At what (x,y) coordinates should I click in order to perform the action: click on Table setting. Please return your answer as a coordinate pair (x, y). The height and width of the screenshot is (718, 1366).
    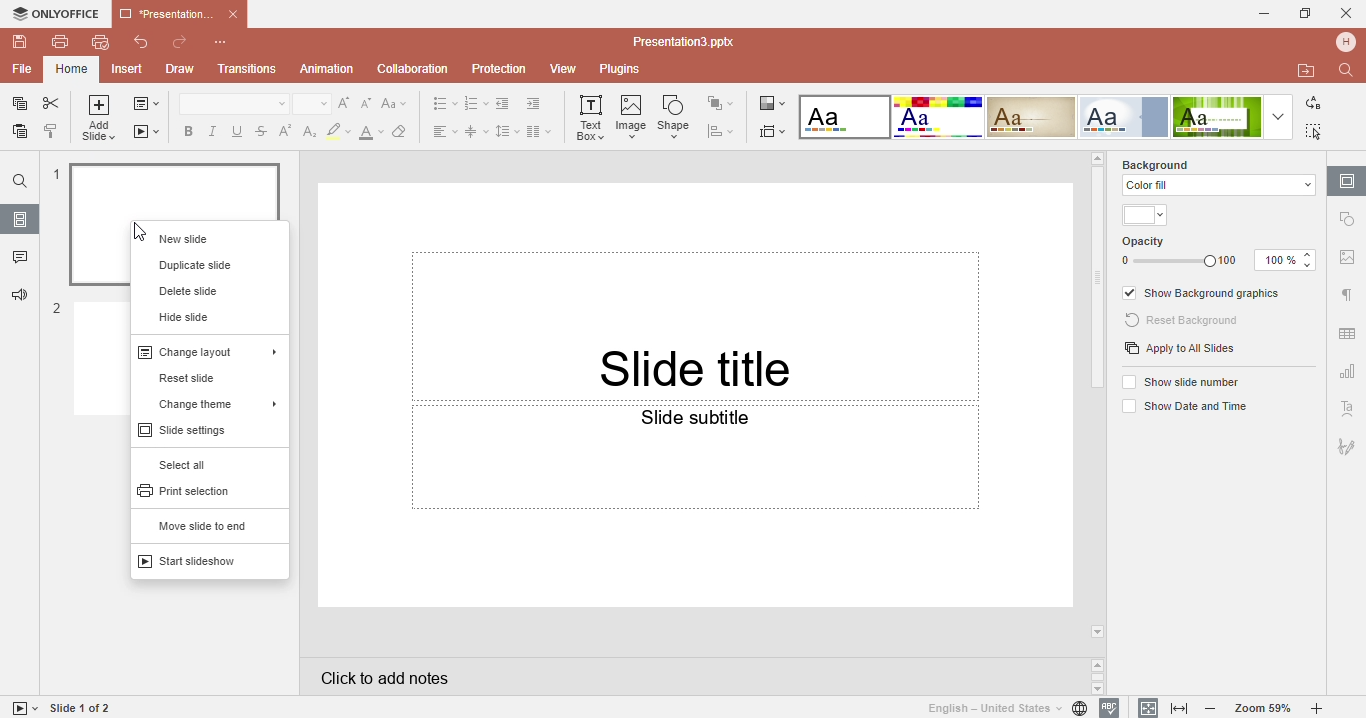
    Looking at the image, I should click on (1348, 330).